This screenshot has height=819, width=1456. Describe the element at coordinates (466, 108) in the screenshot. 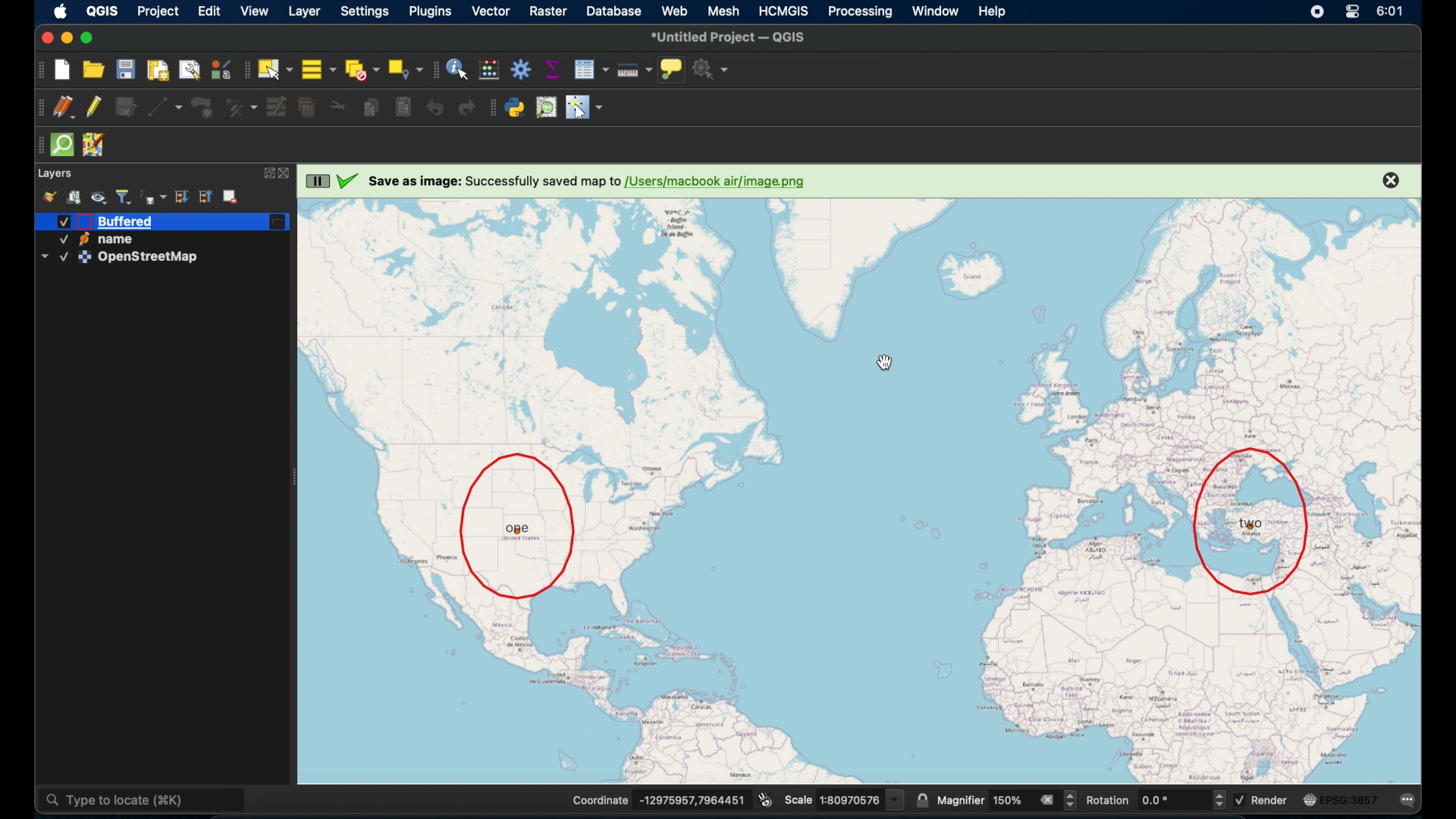

I see `redo` at that location.